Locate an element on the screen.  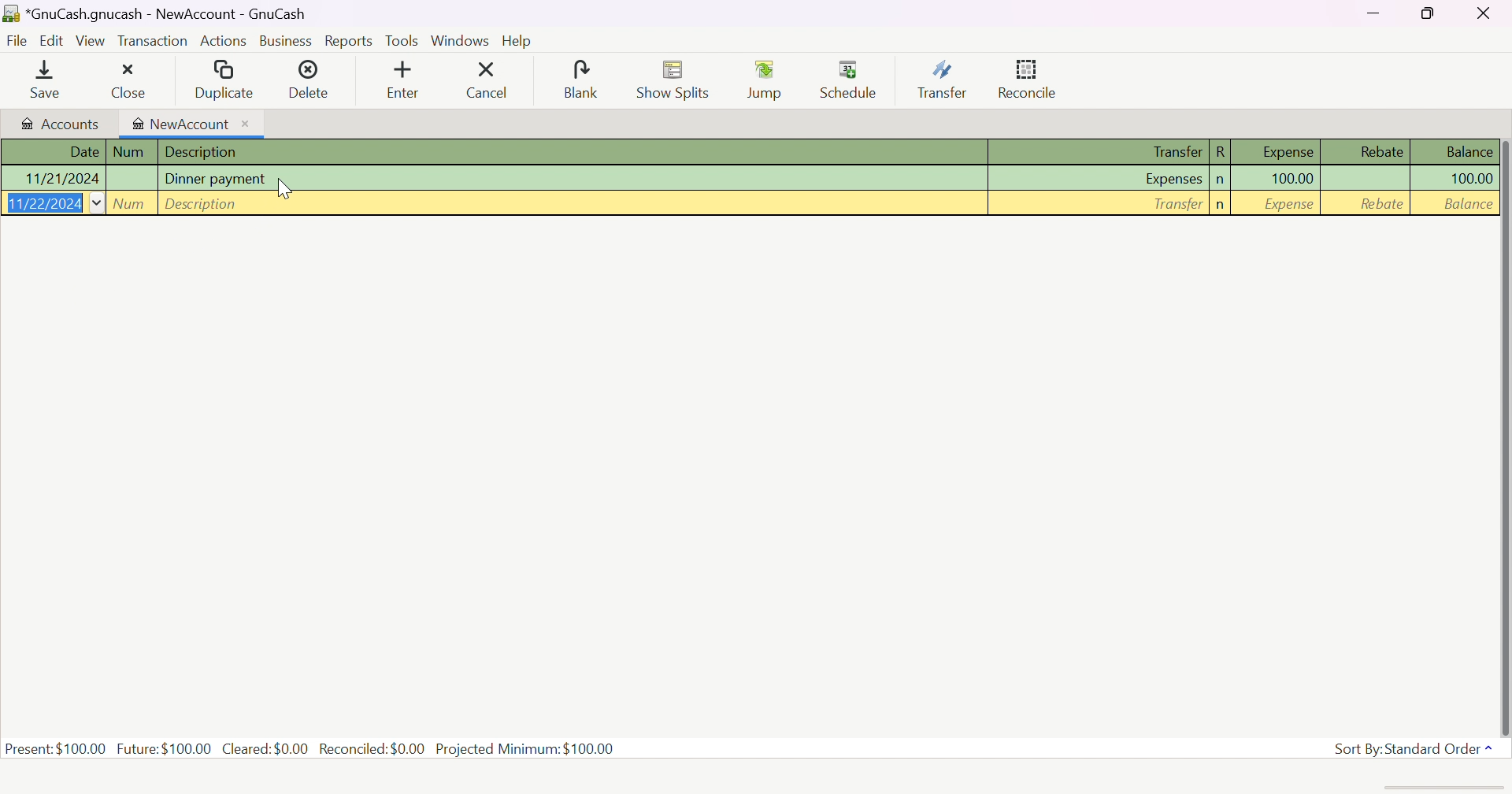
Show Splits is located at coordinates (670, 81).